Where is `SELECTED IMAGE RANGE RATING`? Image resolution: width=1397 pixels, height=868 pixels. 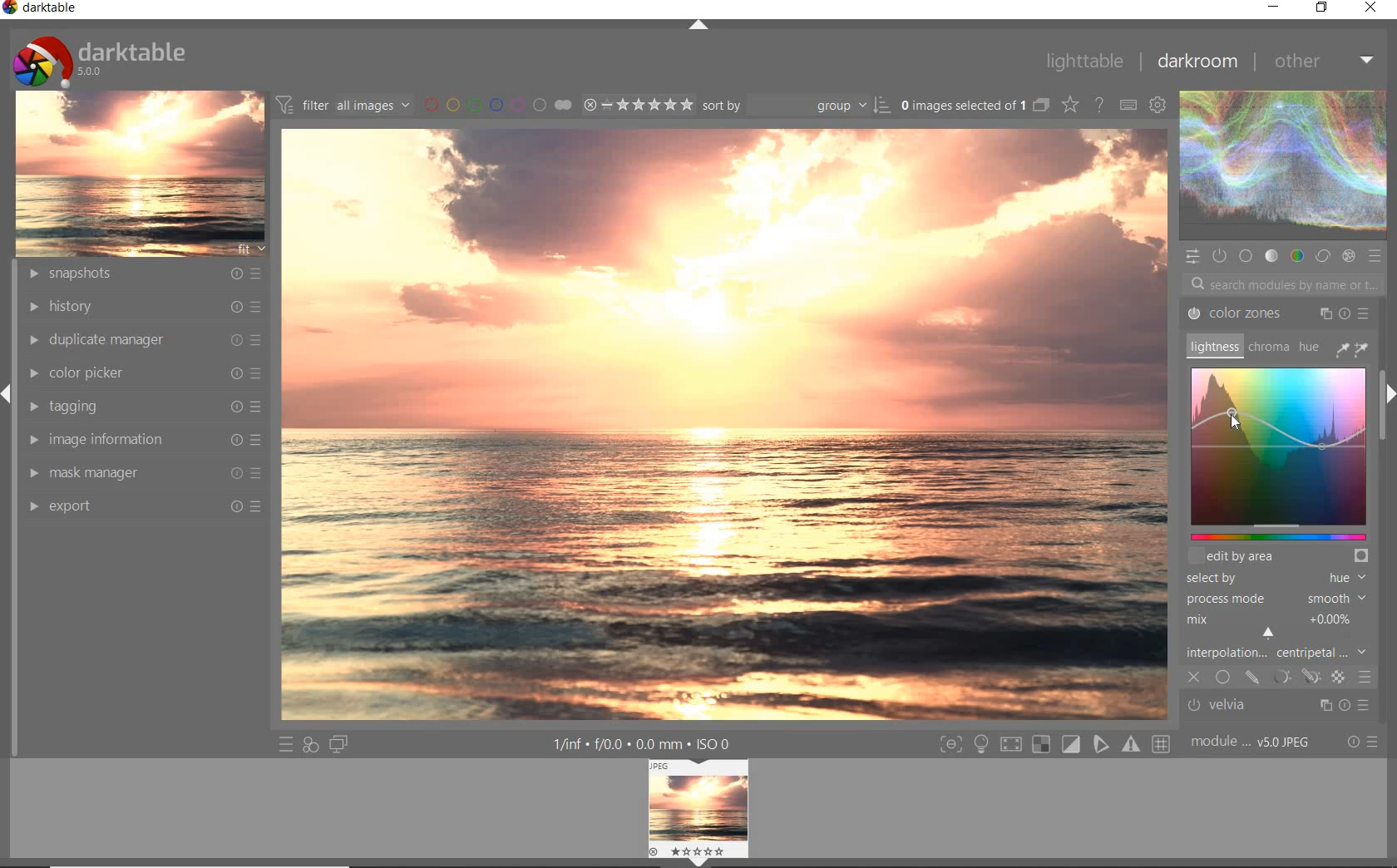
SELECTED IMAGE RANGE RATING is located at coordinates (639, 104).